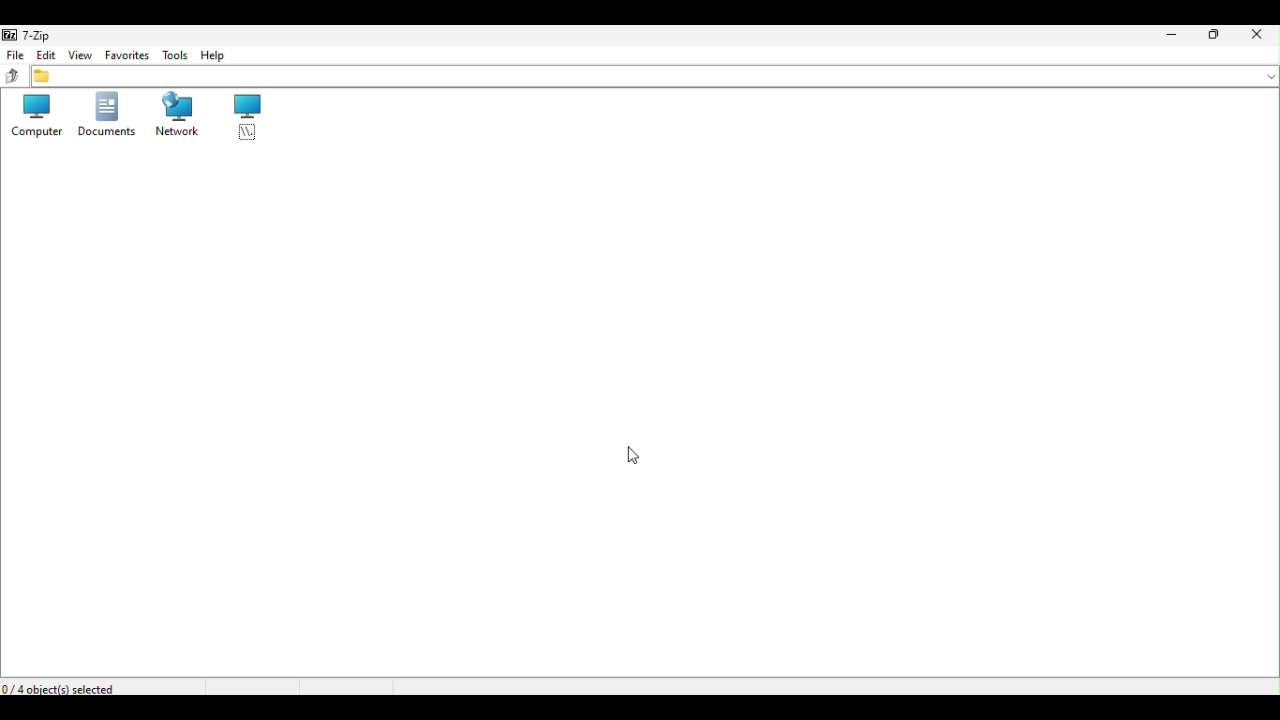 This screenshot has width=1280, height=720. Describe the element at coordinates (11, 74) in the screenshot. I see `up` at that location.